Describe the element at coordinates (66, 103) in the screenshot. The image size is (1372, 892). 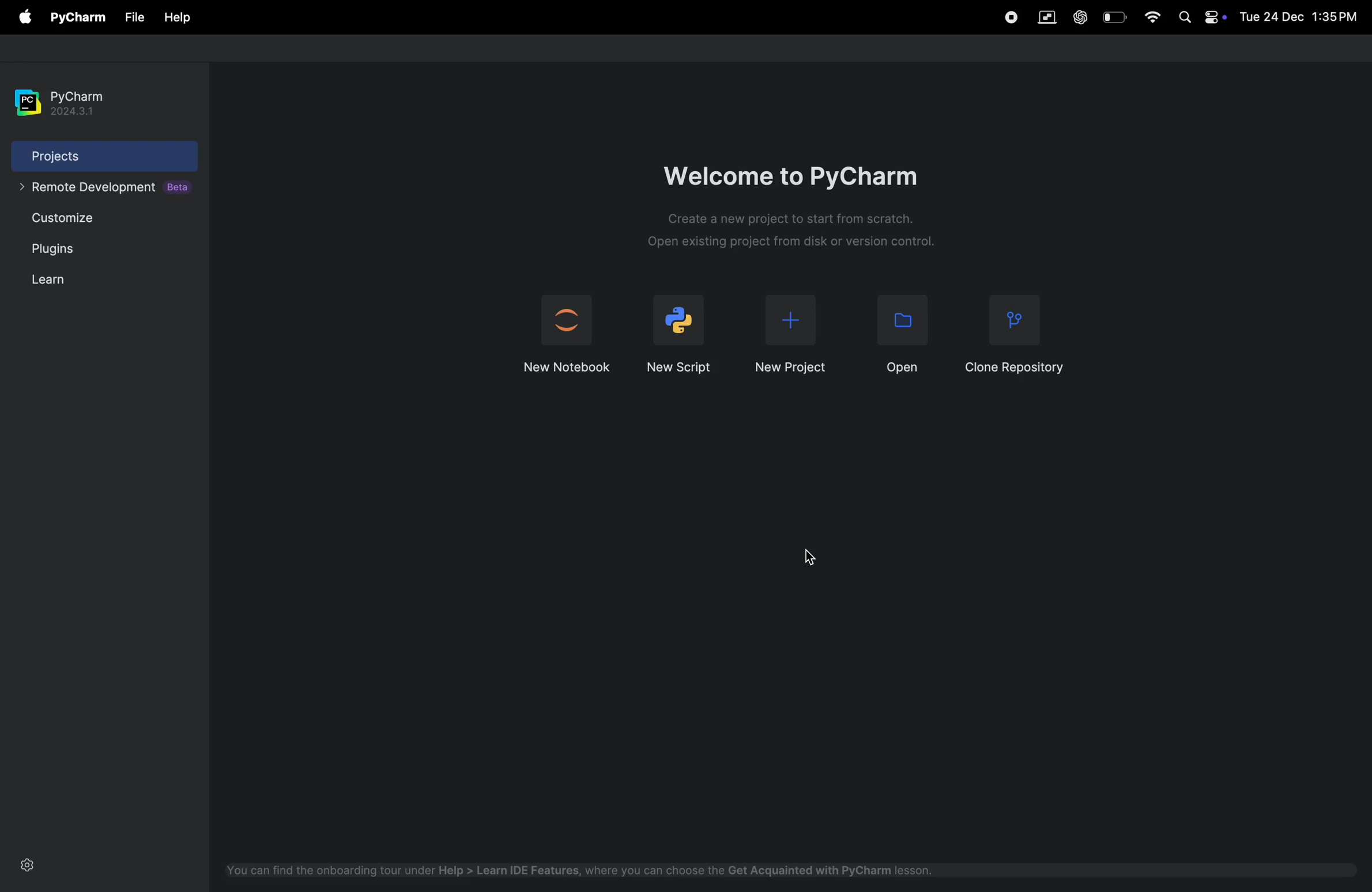
I see `pycharm` at that location.